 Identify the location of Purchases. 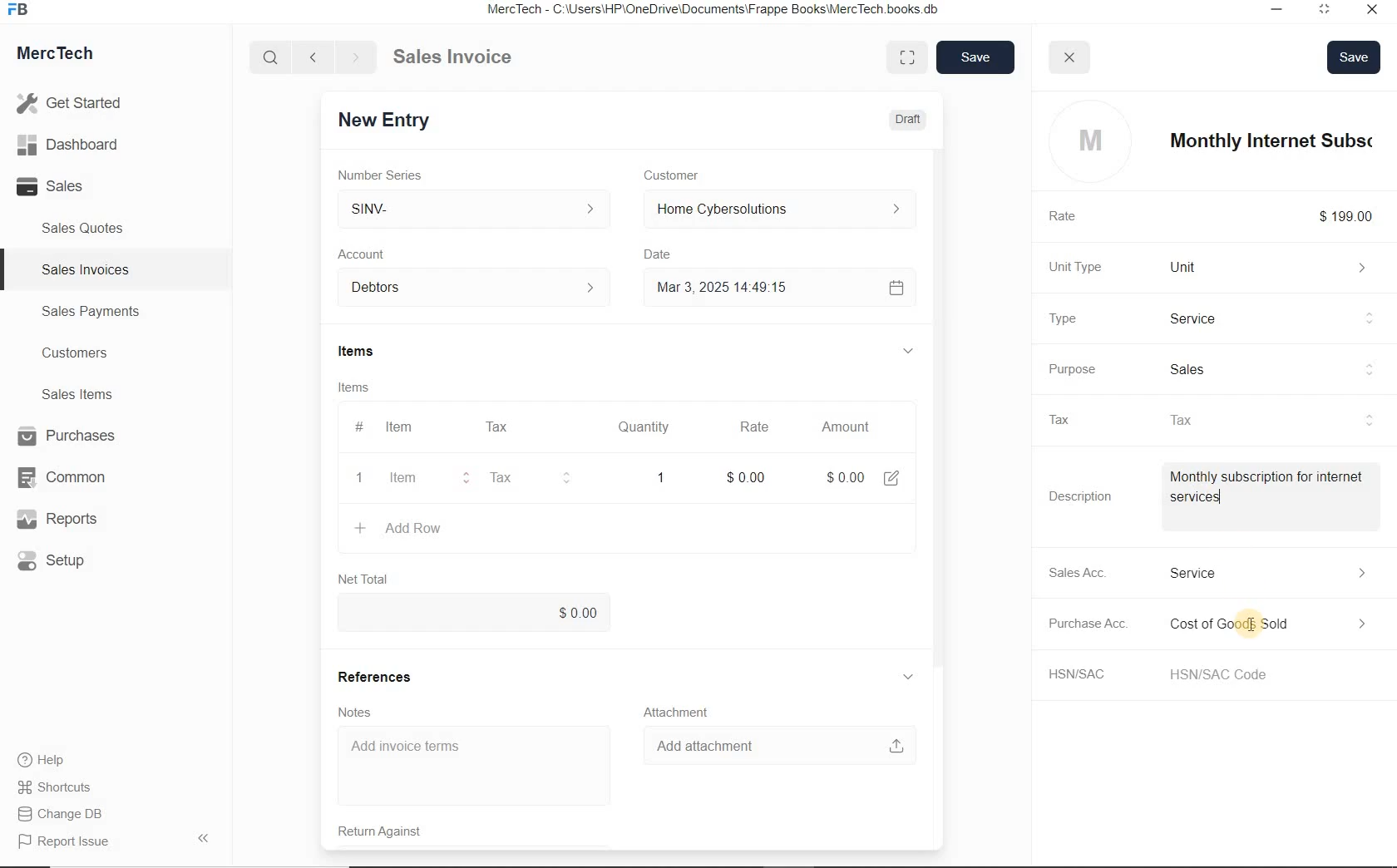
(69, 437).